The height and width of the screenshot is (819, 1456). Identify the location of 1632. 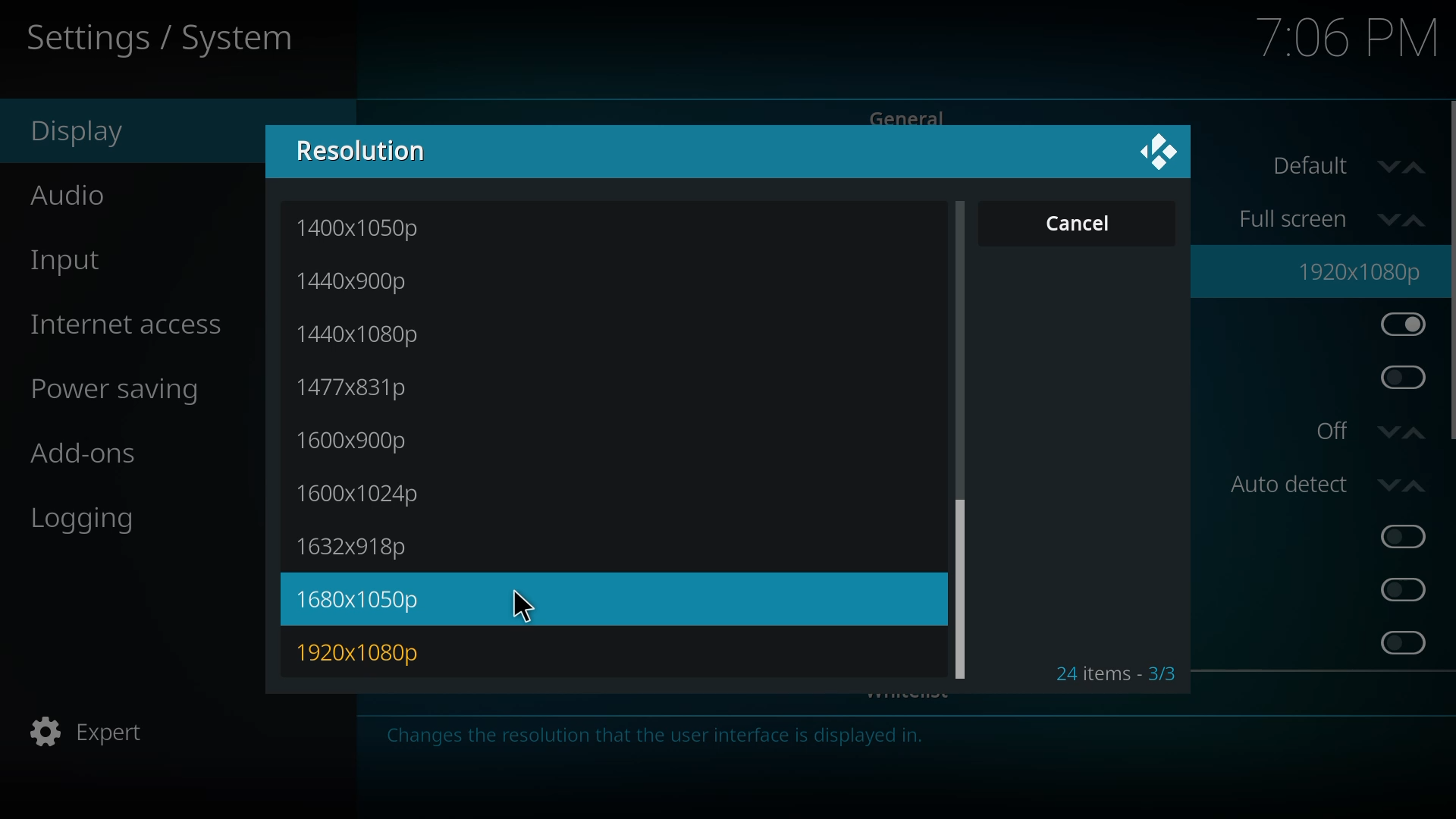
(366, 546).